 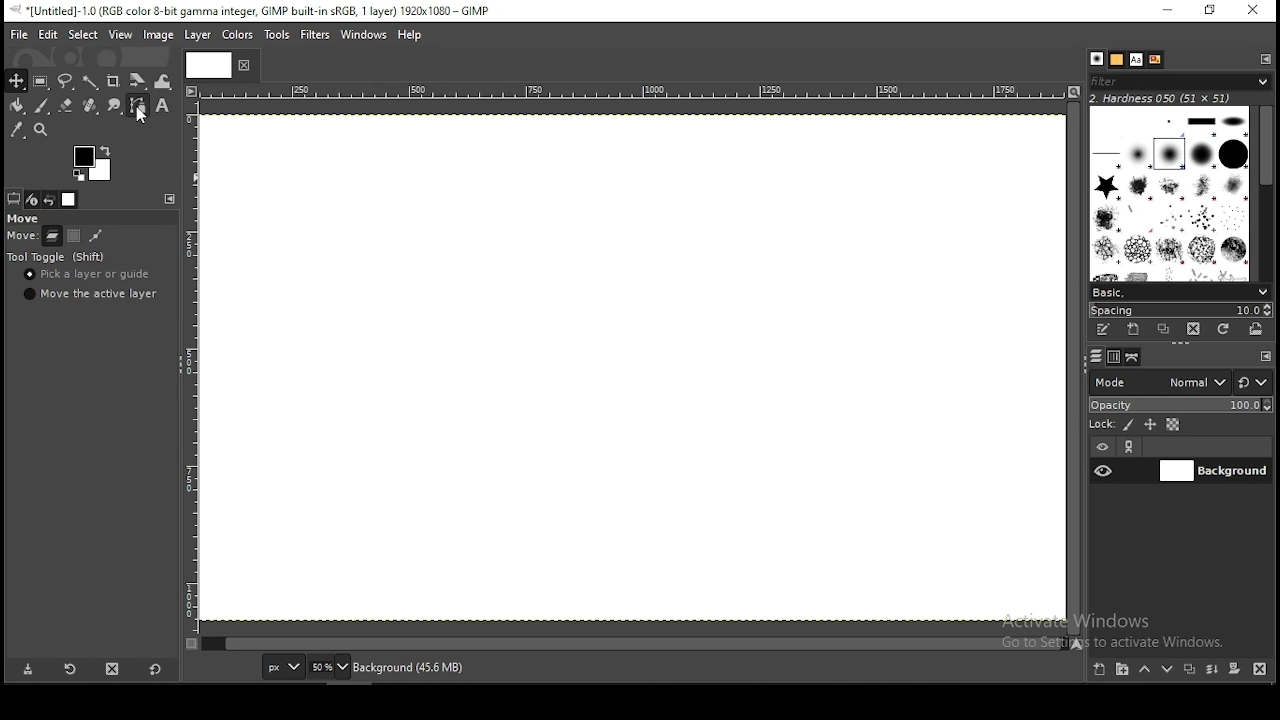 I want to click on delete this brush, so click(x=1194, y=329).